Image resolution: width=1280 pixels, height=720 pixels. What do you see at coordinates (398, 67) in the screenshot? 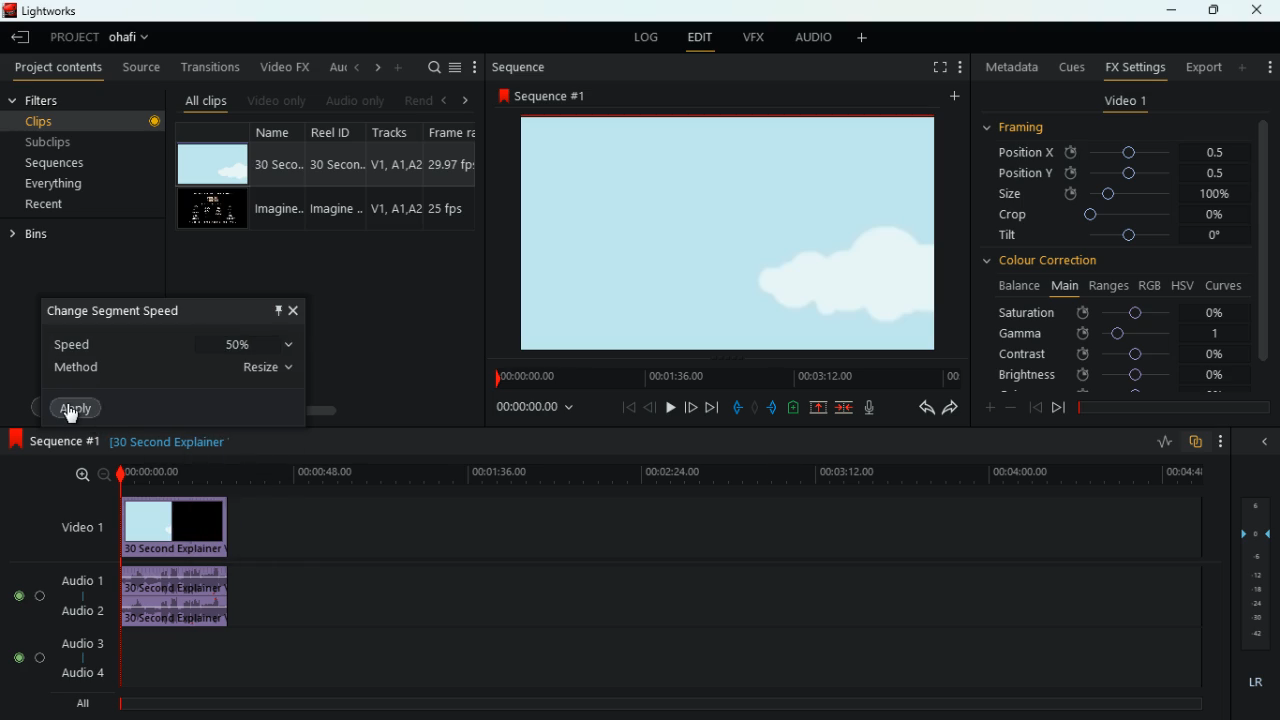
I see `more` at bounding box center [398, 67].